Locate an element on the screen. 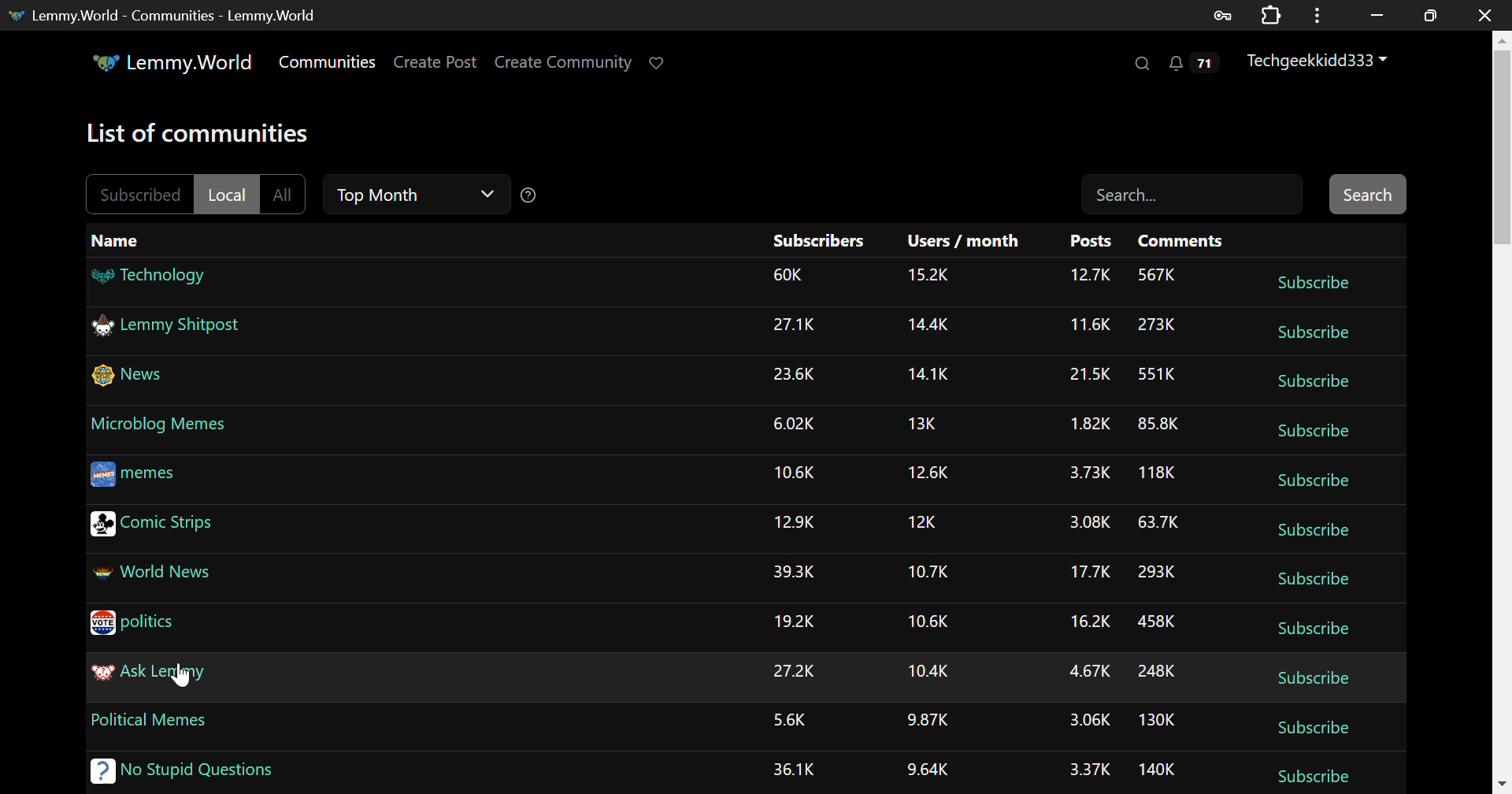  Amount is located at coordinates (1157, 621).